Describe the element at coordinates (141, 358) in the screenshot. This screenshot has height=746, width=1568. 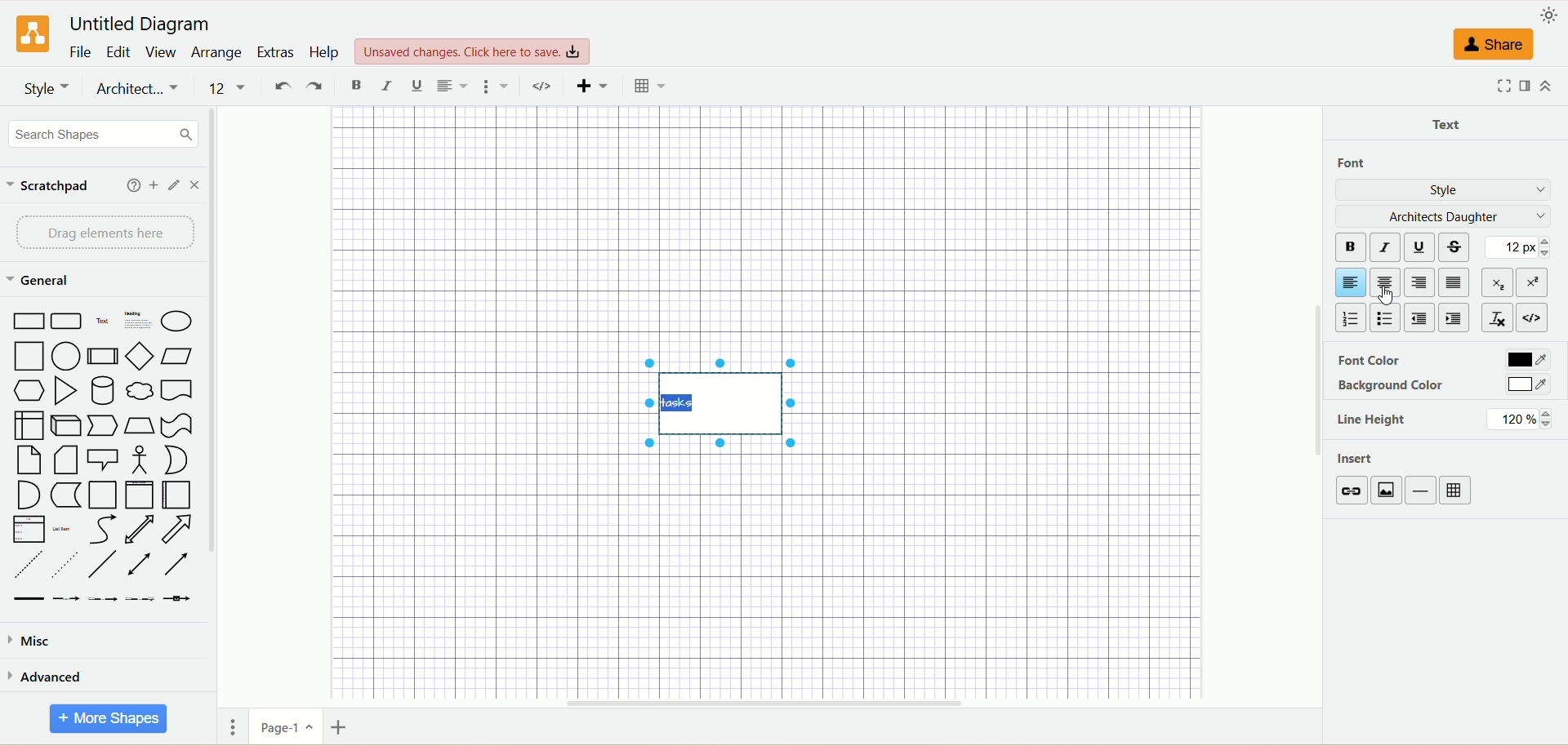
I see `Diamond` at that location.